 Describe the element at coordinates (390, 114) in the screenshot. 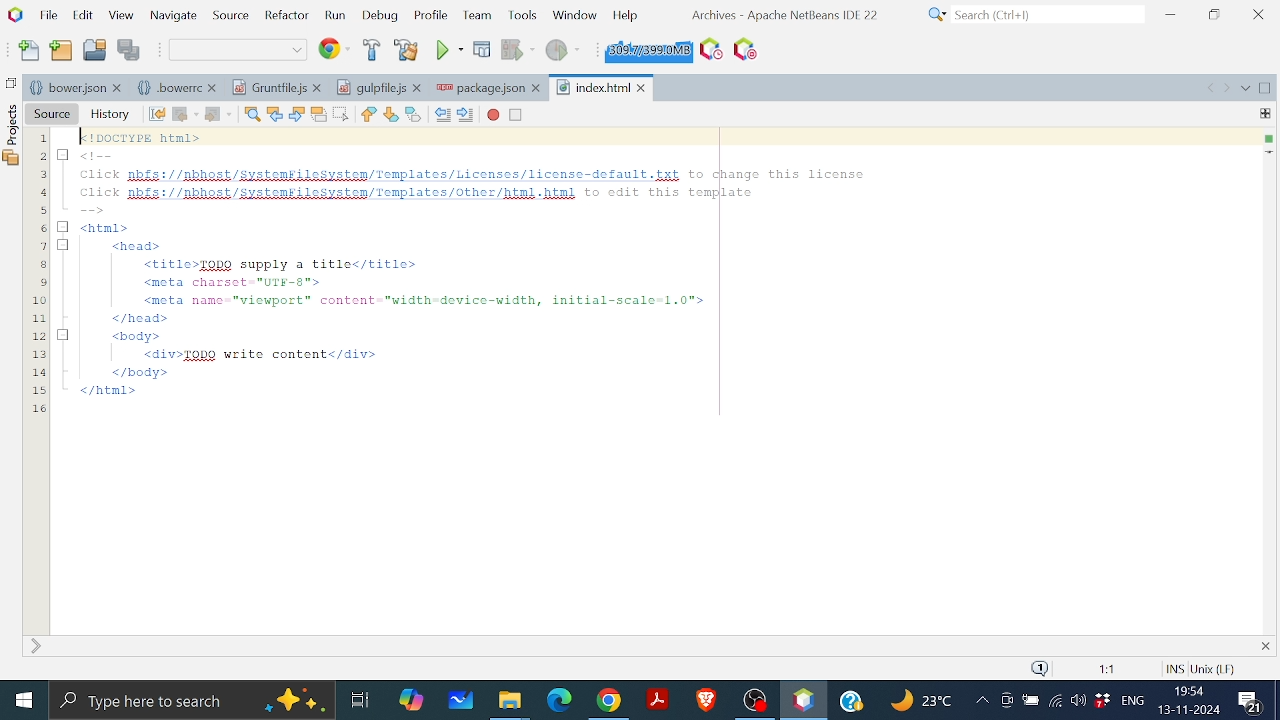

I see `Next bookmark` at that location.